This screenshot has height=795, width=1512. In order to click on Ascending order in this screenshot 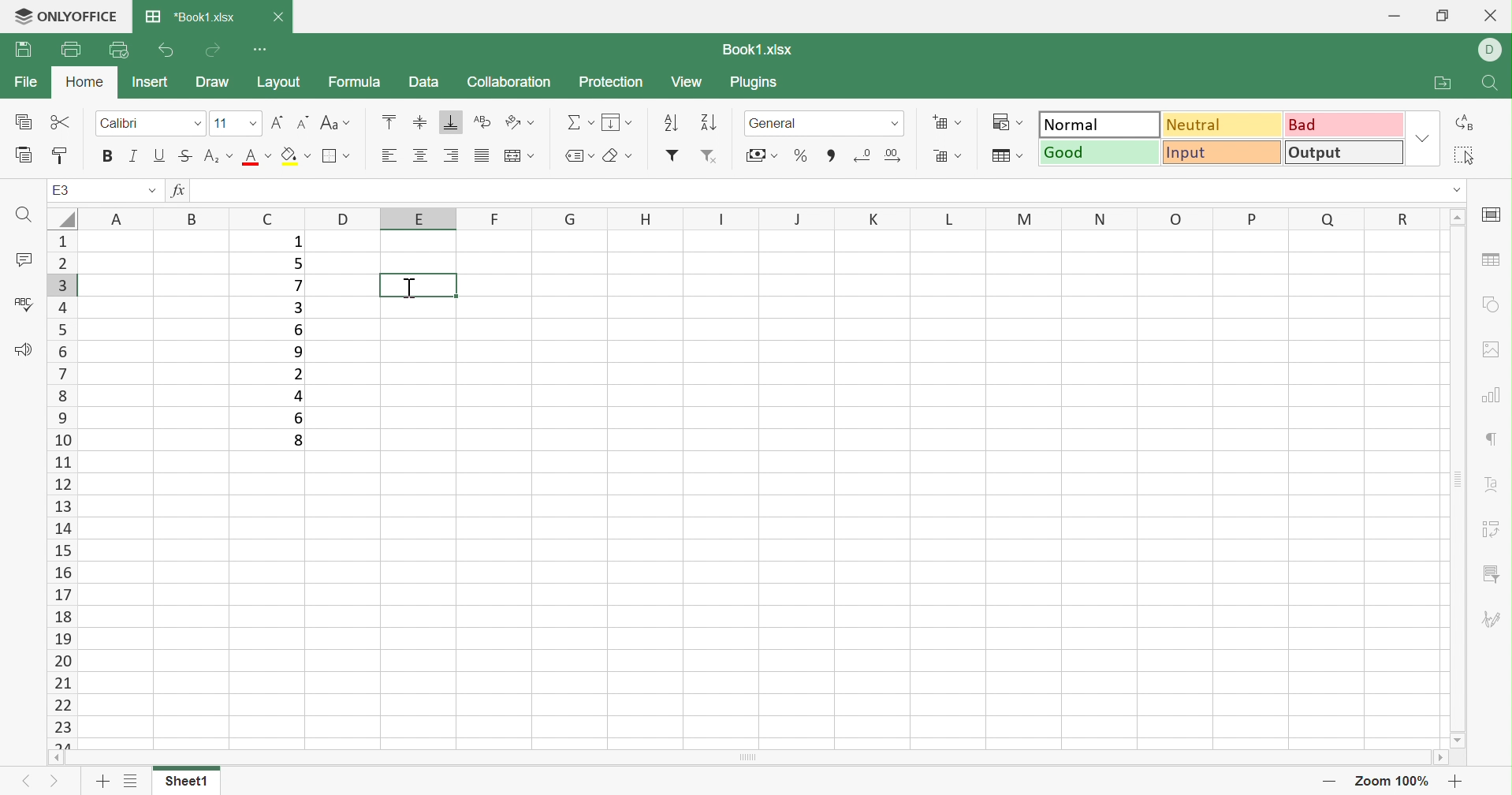, I will do `click(669, 123)`.